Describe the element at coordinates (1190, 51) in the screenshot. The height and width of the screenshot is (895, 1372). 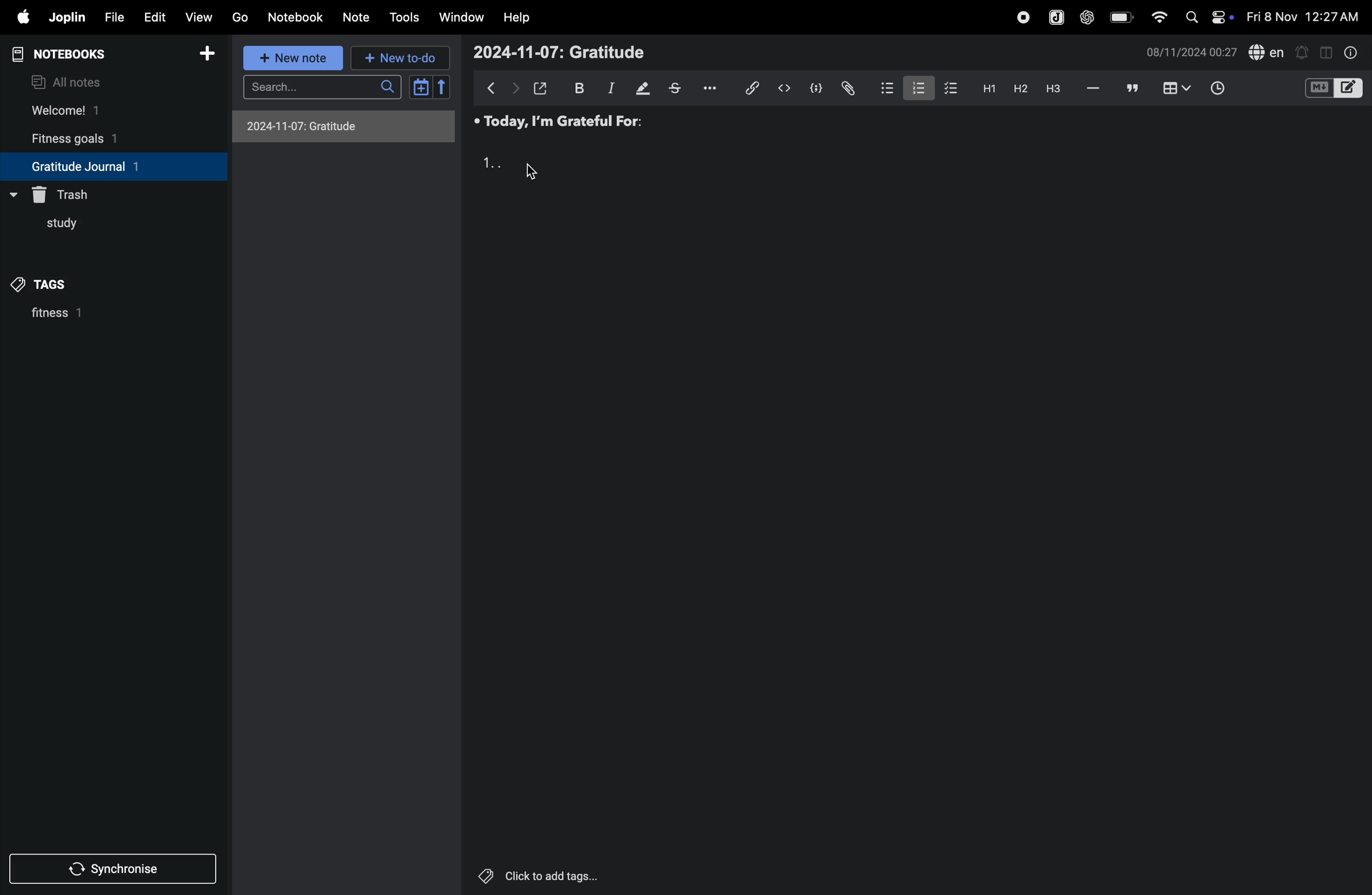
I see `08/11/2024 00:27` at that location.